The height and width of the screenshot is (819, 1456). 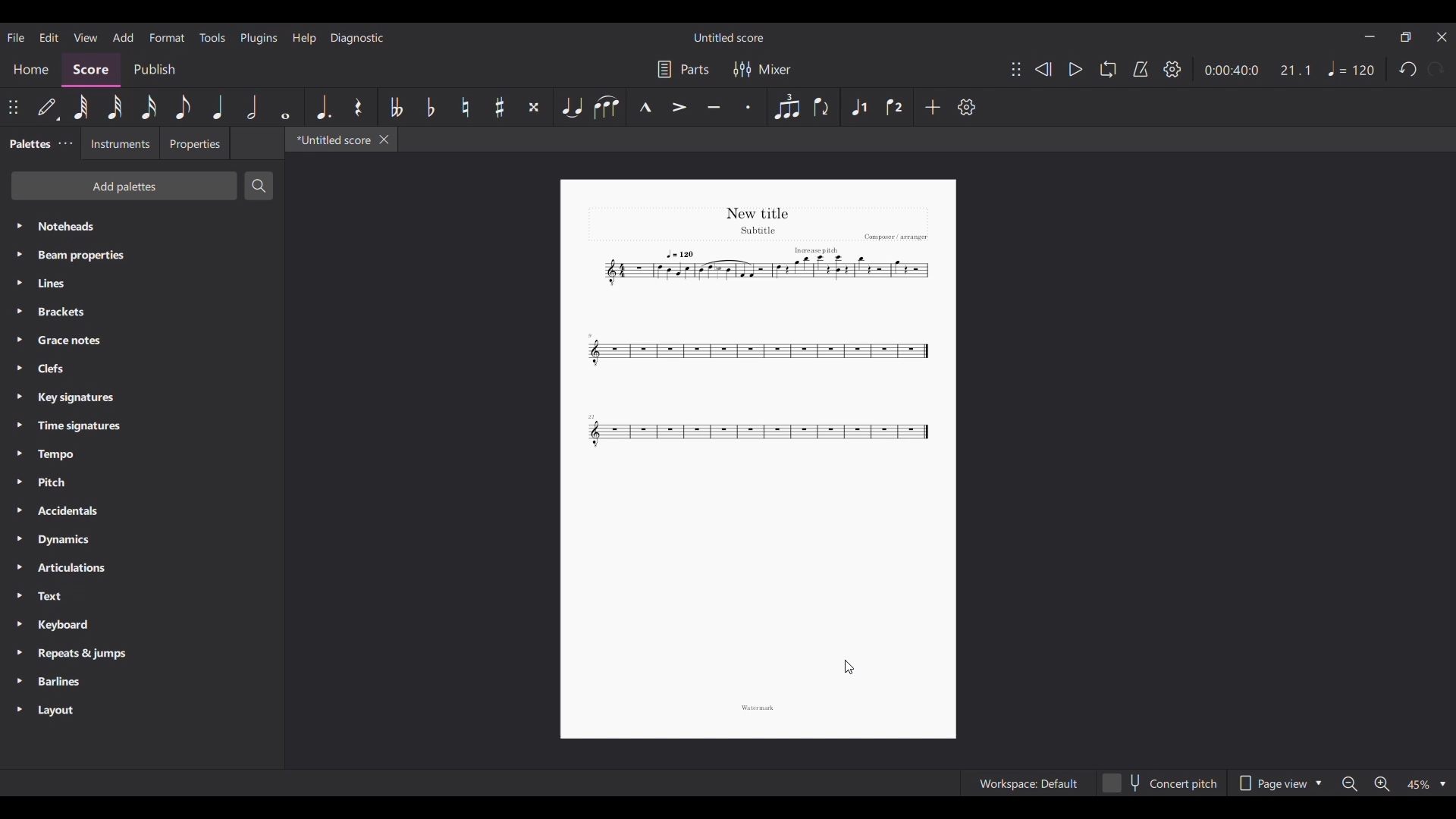 What do you see at coordinates (30, 71) in the screenshot?
I see `Home section` at bounding box center [30, 71].